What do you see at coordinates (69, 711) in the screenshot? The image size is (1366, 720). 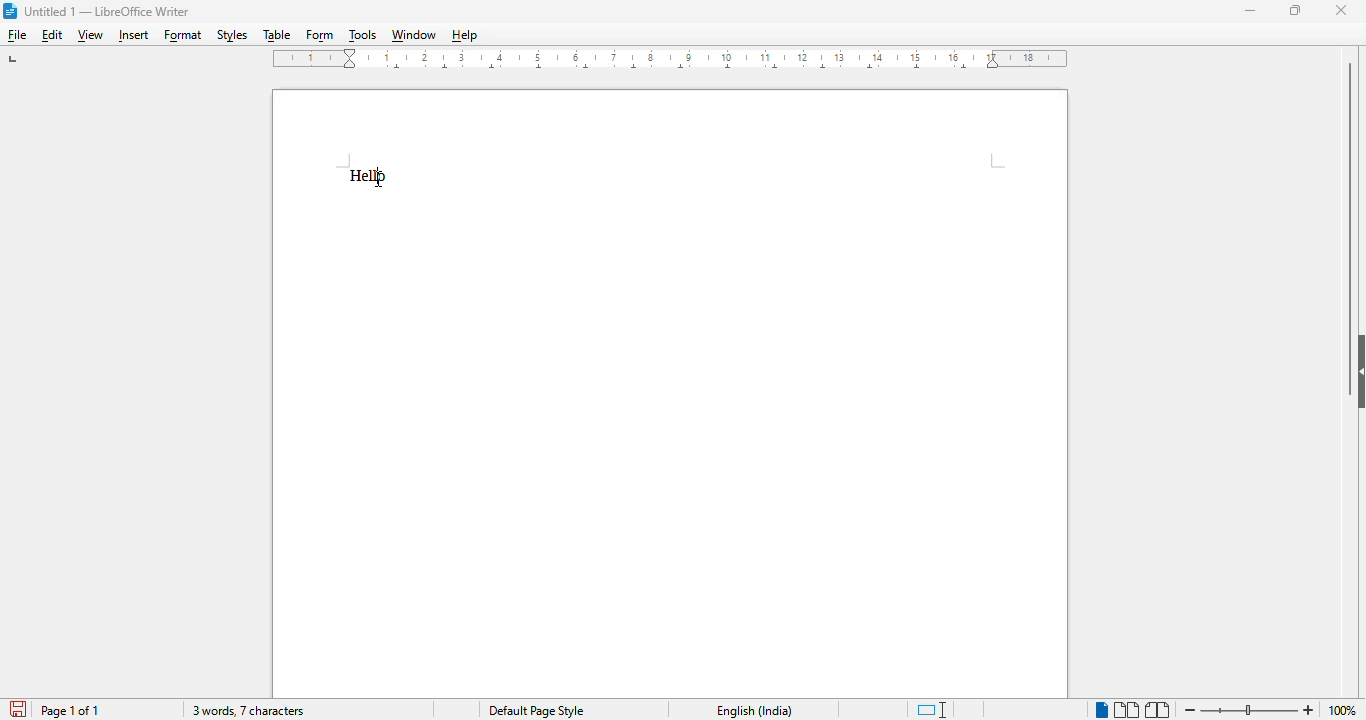 I see `page 1 of 1` at bounding box center [69, 711].